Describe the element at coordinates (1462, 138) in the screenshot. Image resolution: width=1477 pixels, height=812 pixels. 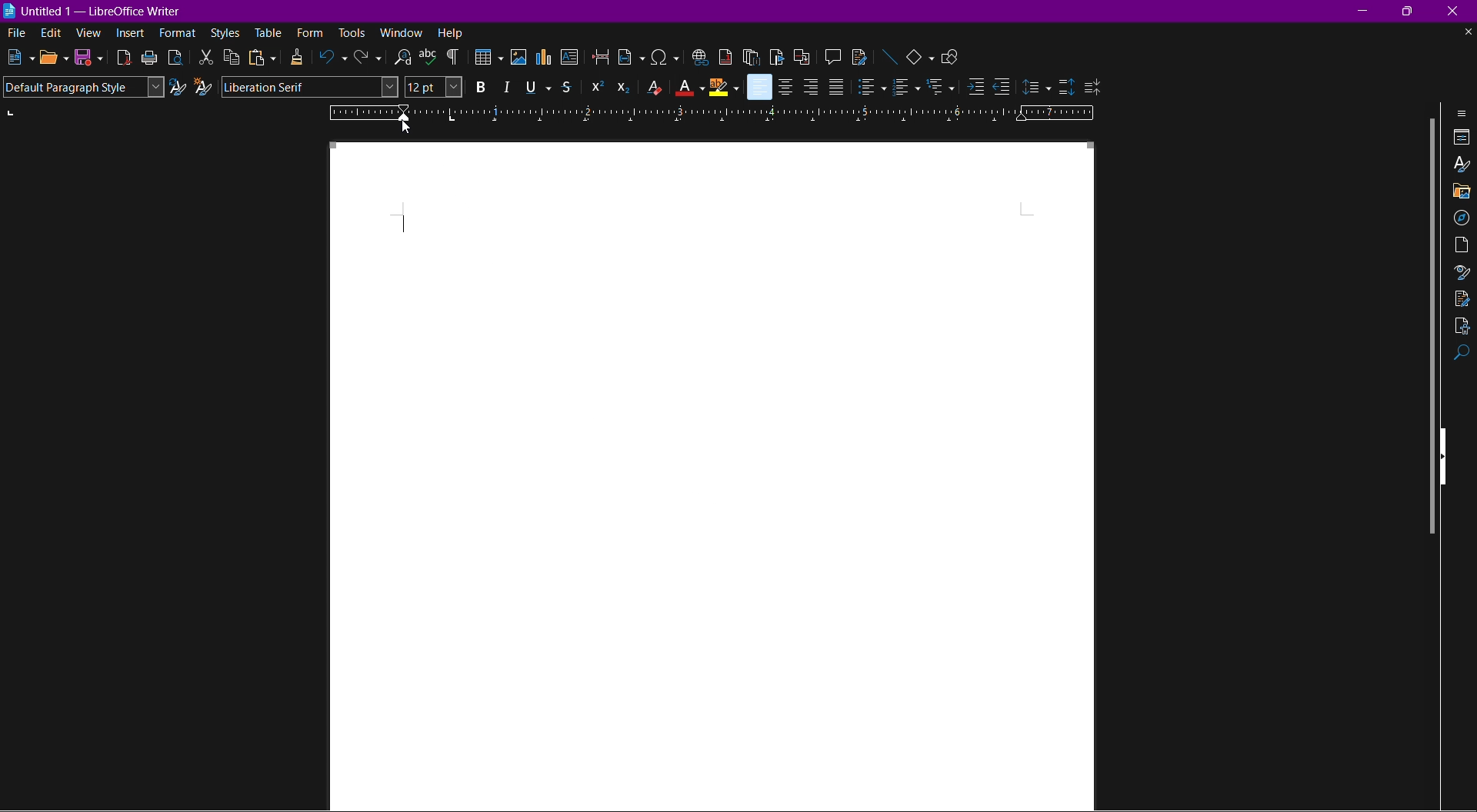
I see `Properties` at that location.